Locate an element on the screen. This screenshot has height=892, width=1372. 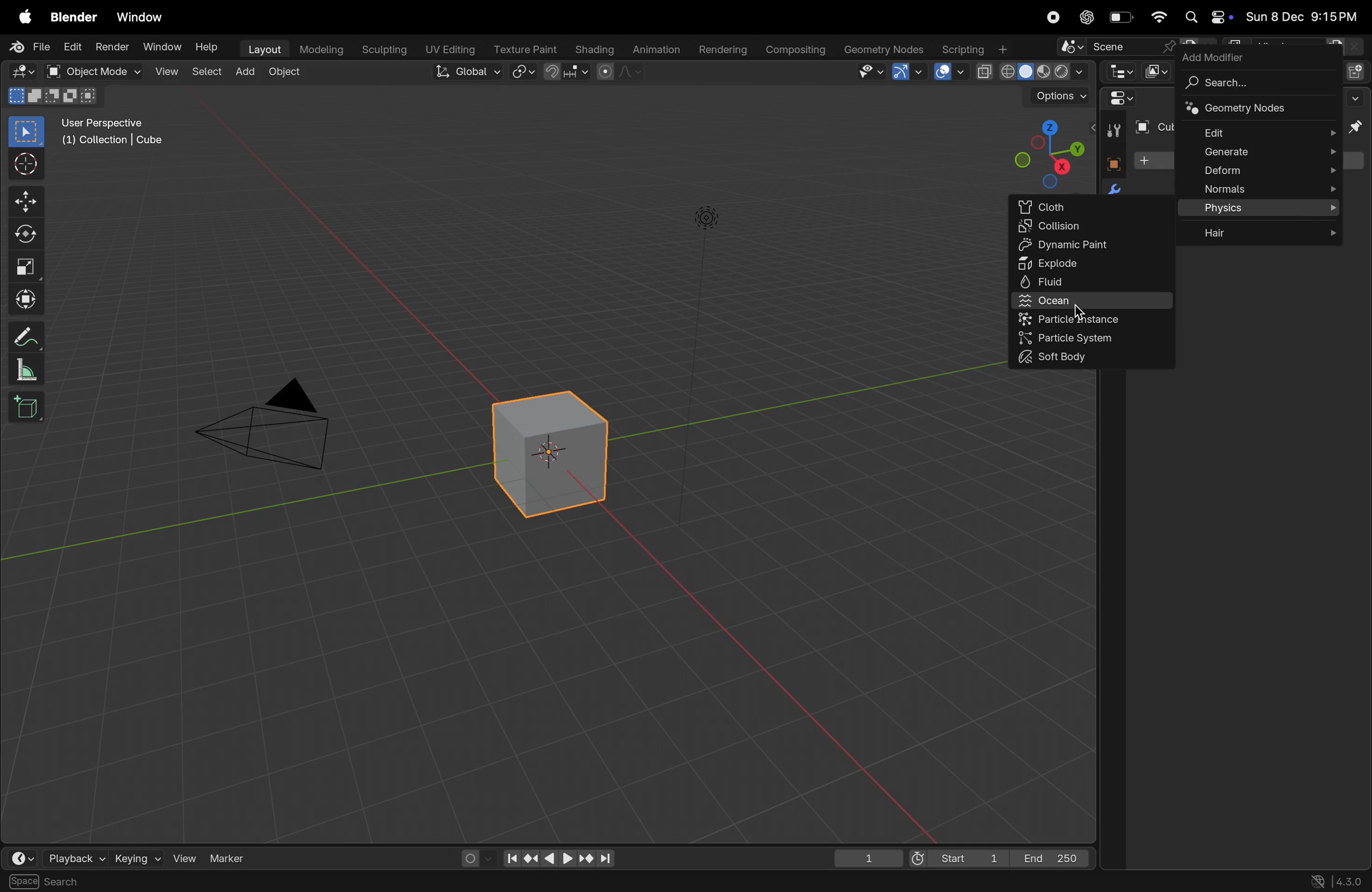
animations is located at coordinates (654, 50).